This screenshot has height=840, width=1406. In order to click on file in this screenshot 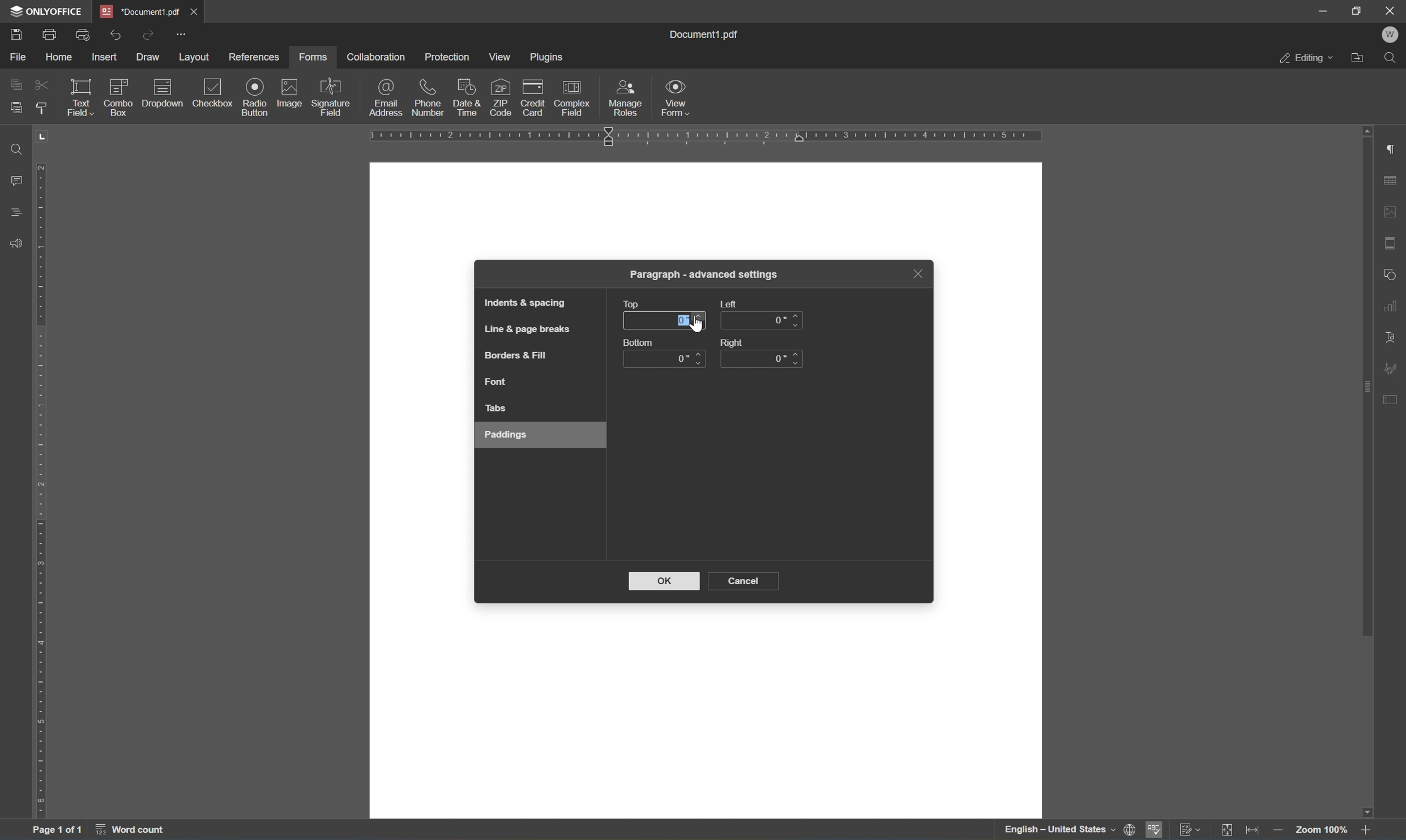, I will do `click(19, 55)`.